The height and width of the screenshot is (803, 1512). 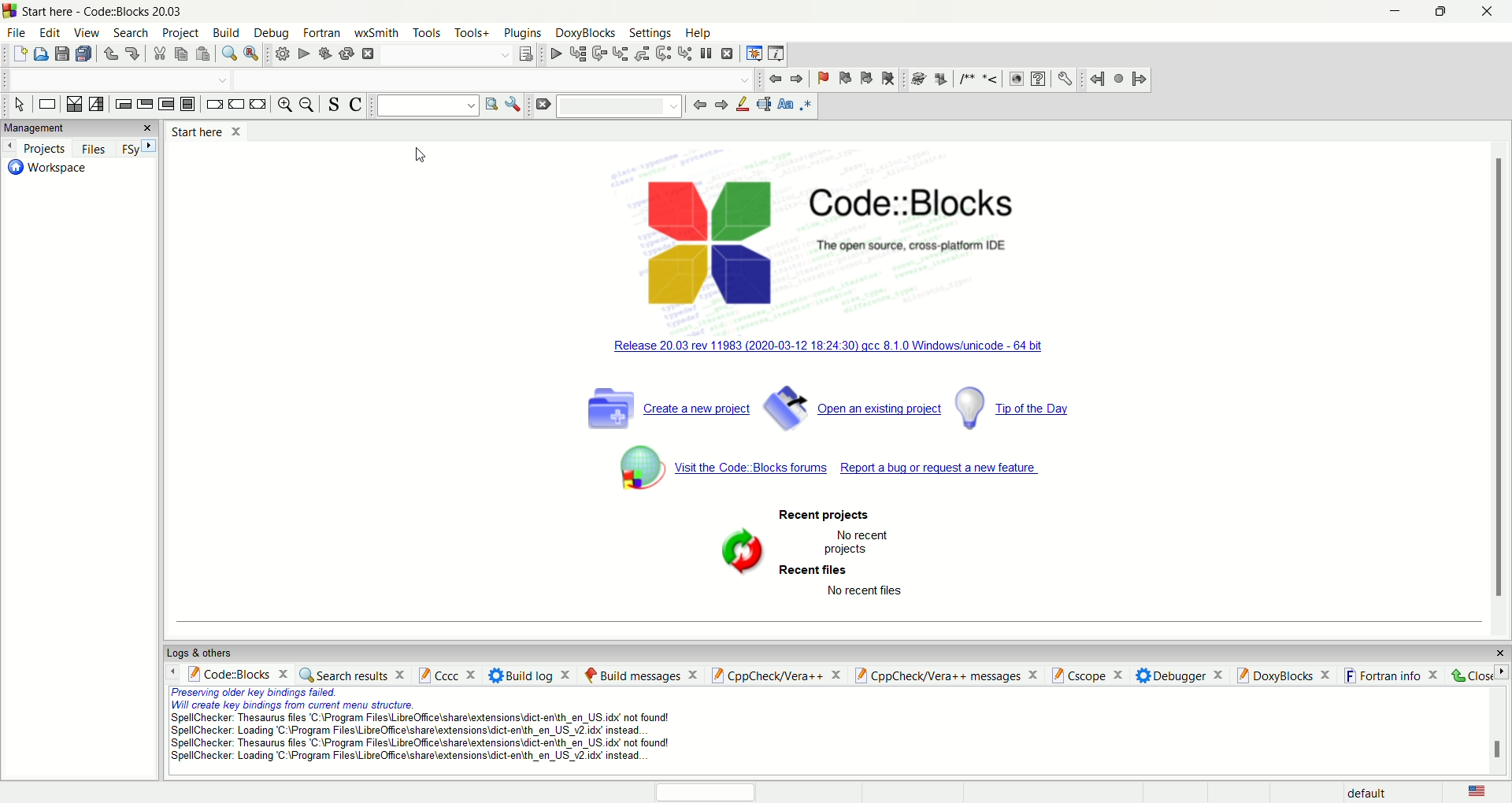 What do you see at coordinates (797, 78) in the screenshot?
I see `jump forward` at bounding box center [797, 78].